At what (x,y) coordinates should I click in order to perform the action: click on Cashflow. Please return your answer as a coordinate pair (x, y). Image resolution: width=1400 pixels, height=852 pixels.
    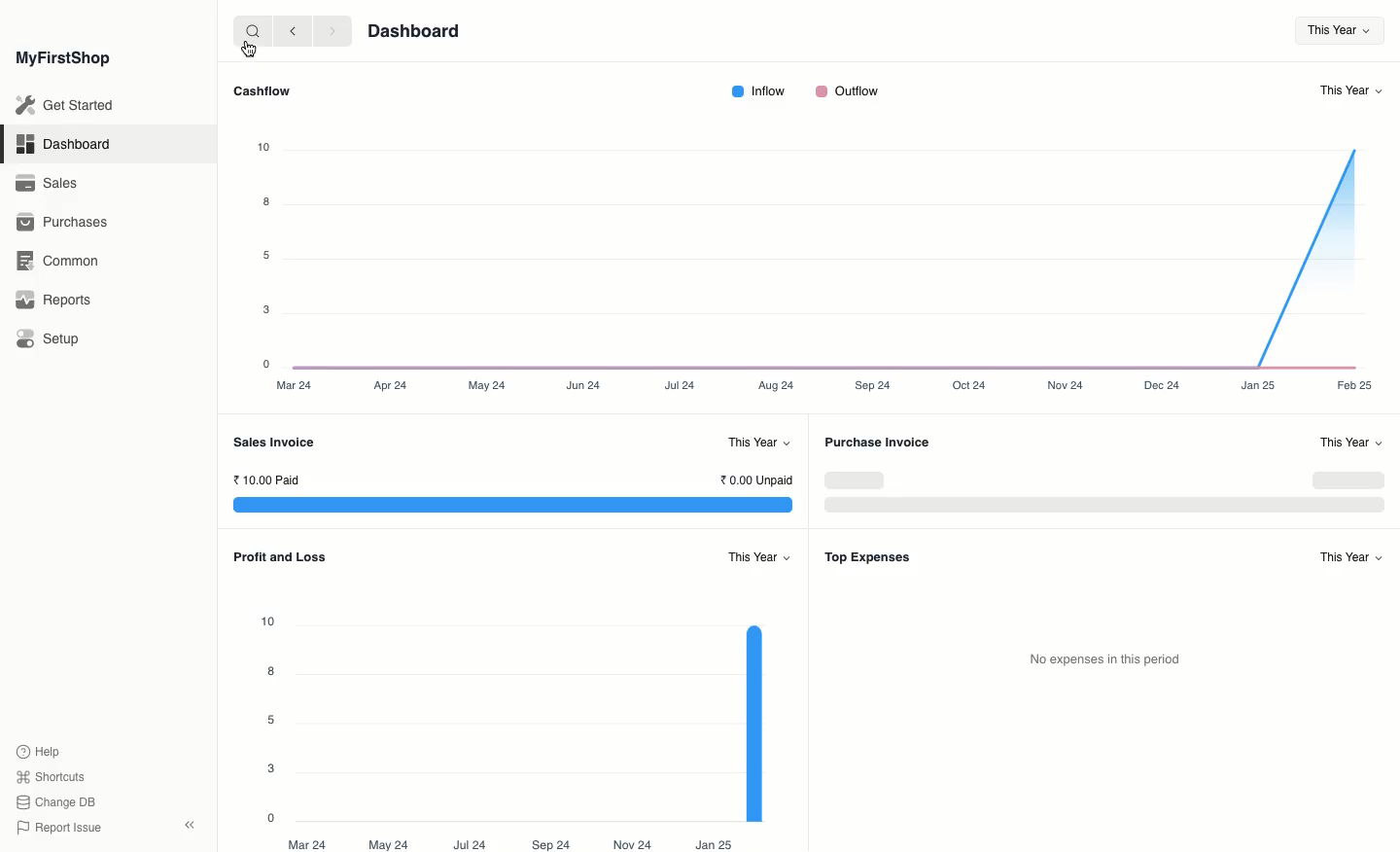
    Looking at the image, I should click on (267, 92).